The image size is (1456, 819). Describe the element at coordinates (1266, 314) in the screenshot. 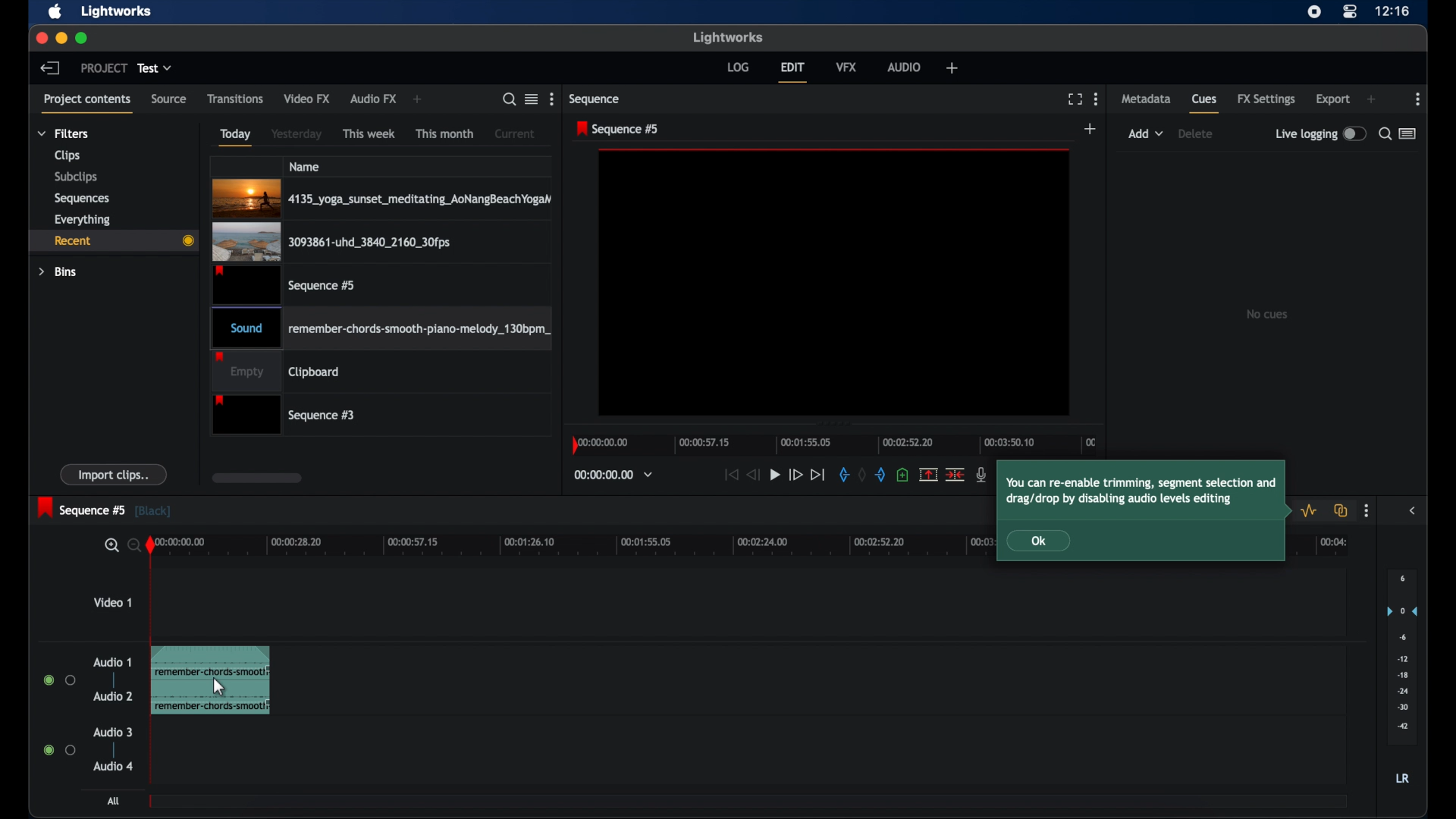

I see `no cues` at that location.